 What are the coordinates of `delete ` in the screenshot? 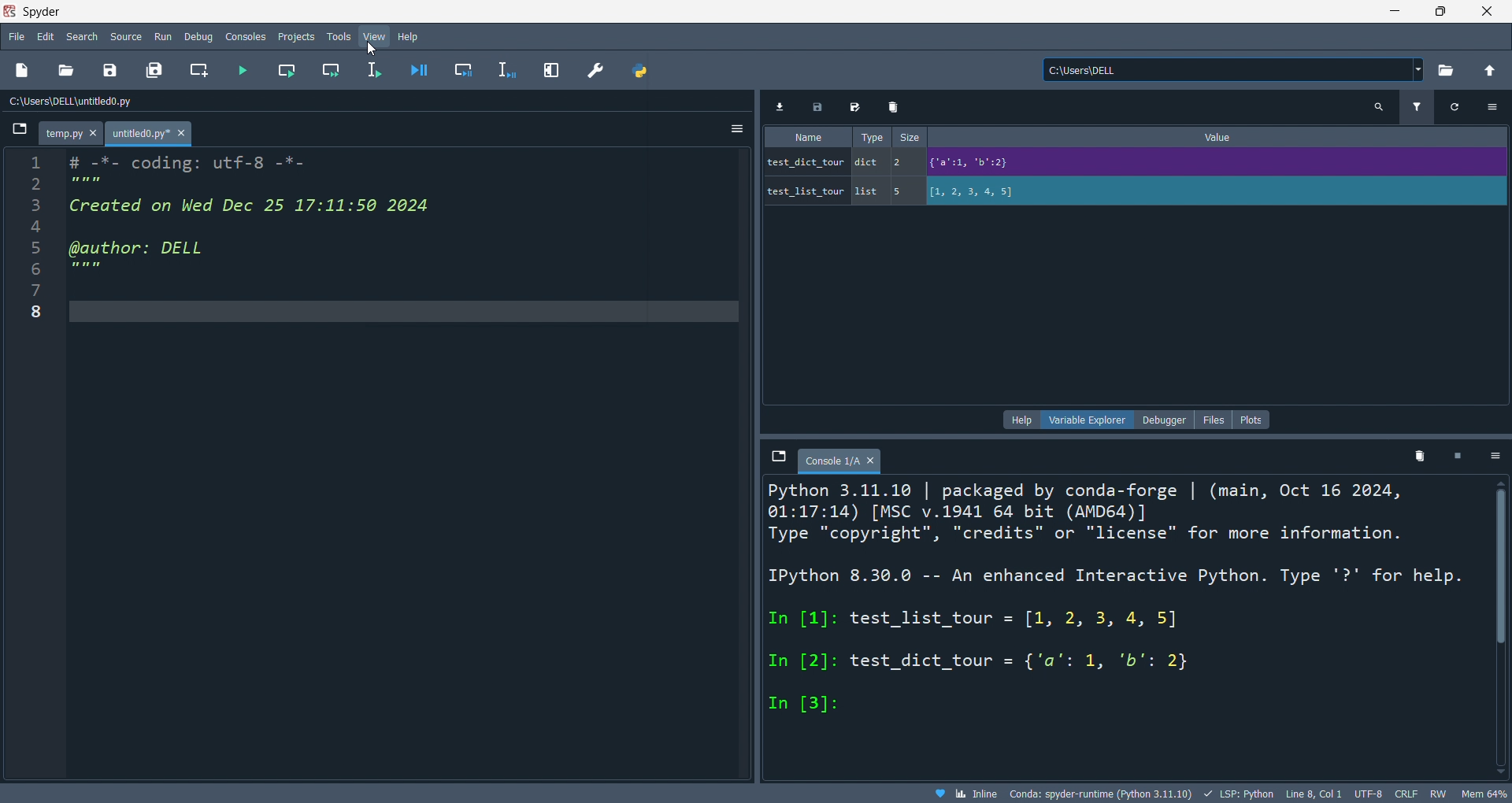 It's located at (1421, 460).